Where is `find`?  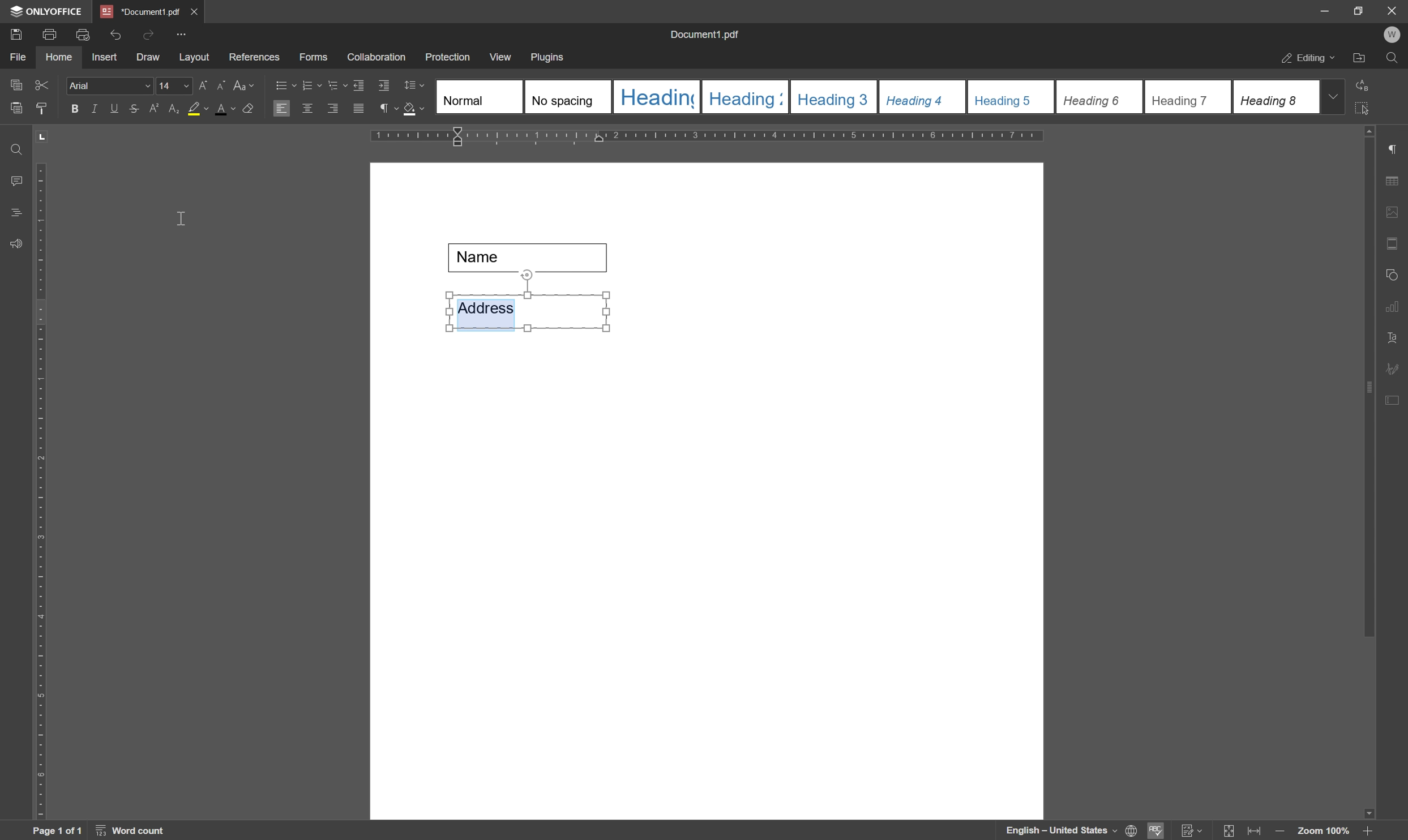
find is located at coordinates (1395, 61).